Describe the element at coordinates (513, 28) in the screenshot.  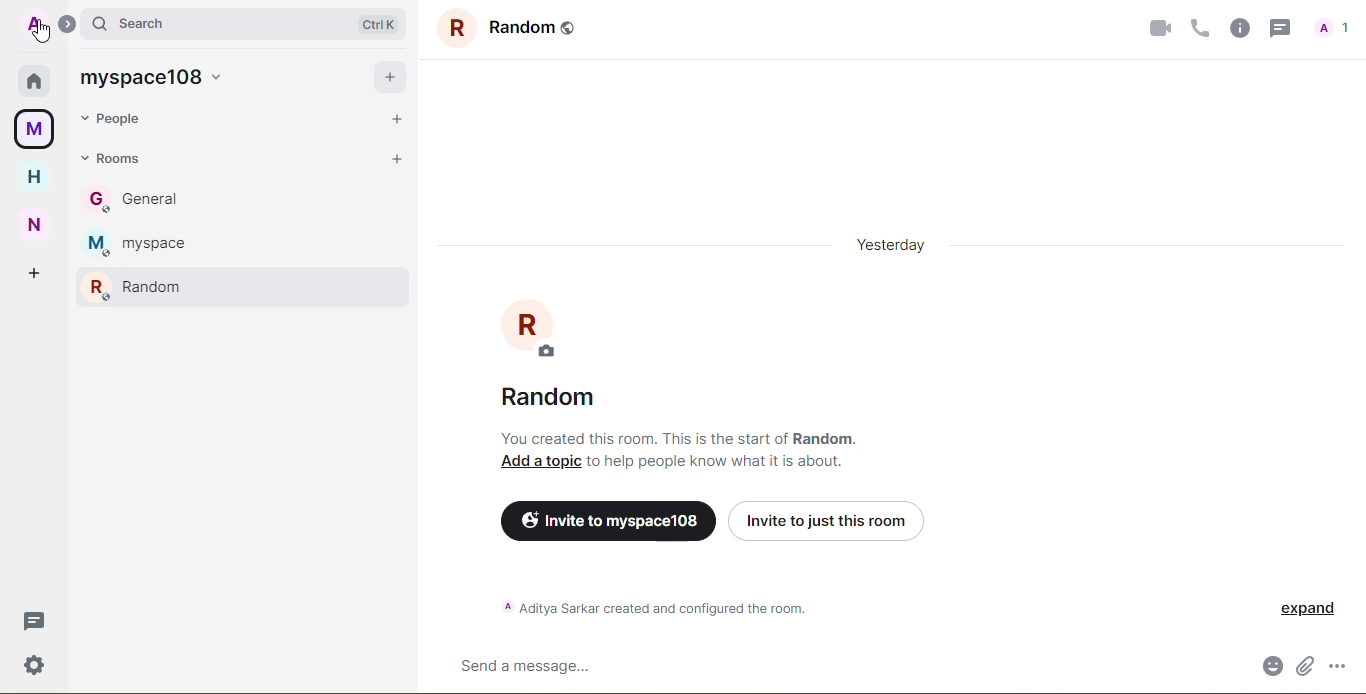
I see `room` at that location.